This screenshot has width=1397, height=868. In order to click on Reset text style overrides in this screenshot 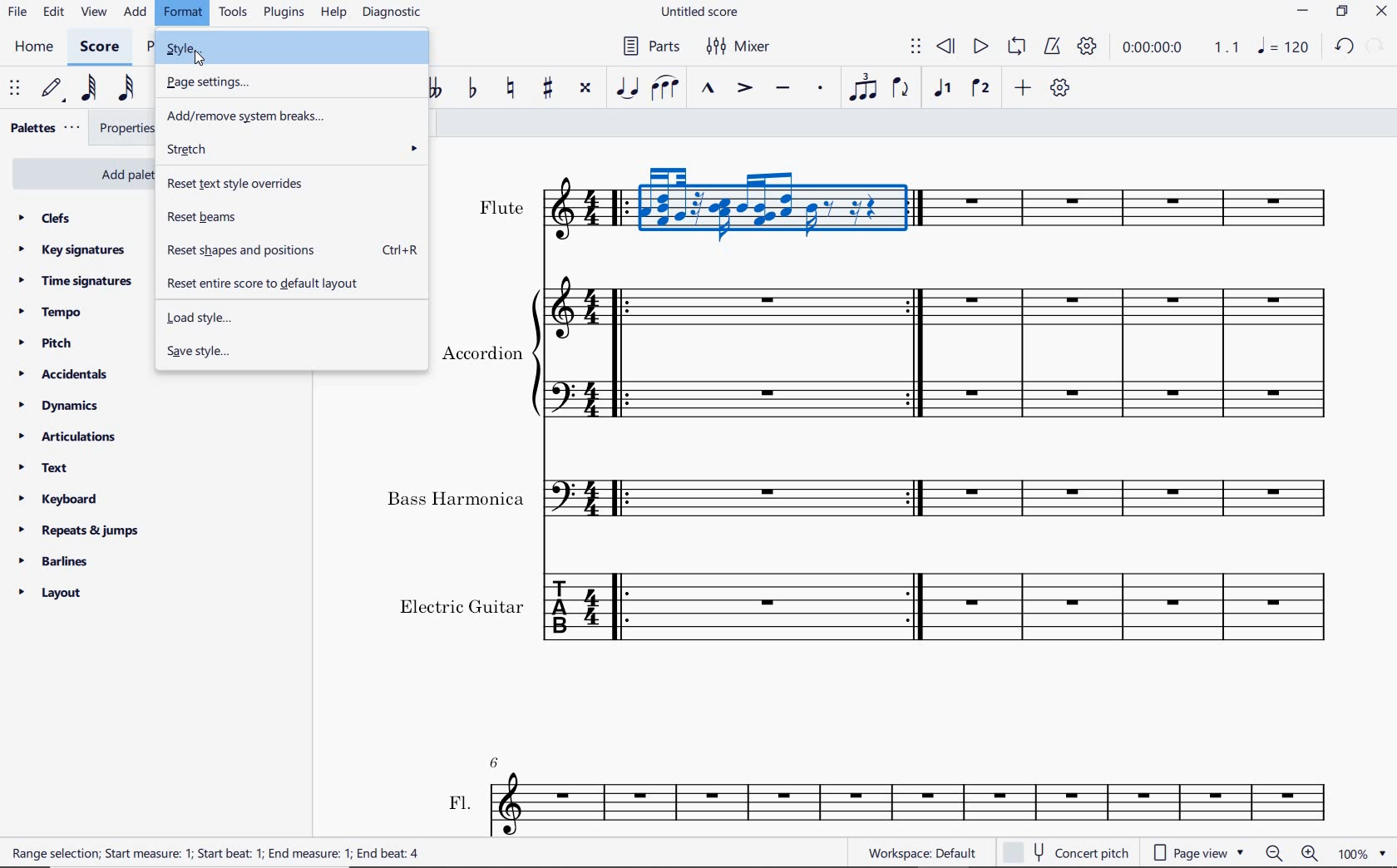, I will do `click(289, 183)`.